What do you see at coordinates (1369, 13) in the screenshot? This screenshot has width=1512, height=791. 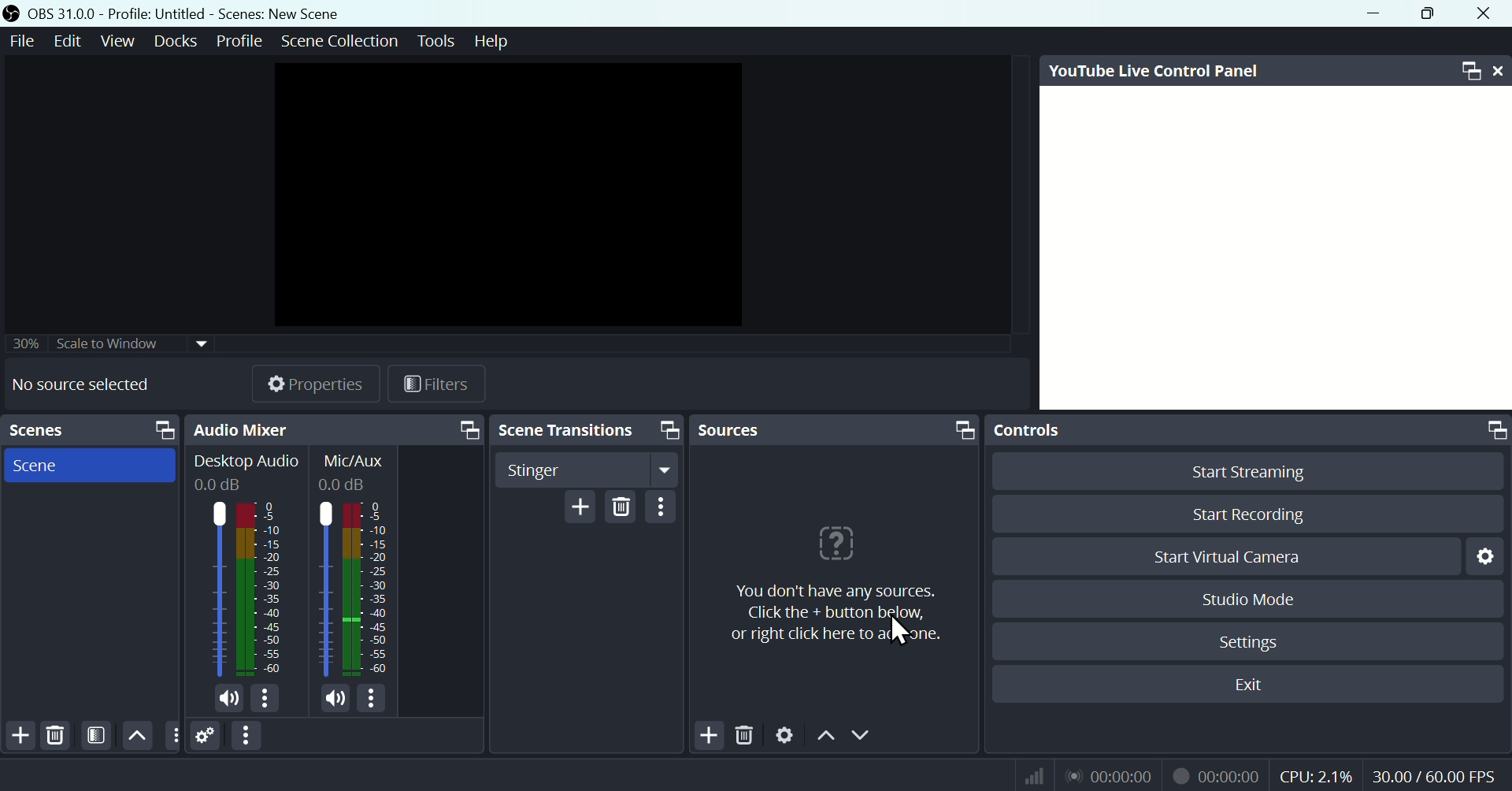 I see `minimise` at bounding box center [1369, 13].